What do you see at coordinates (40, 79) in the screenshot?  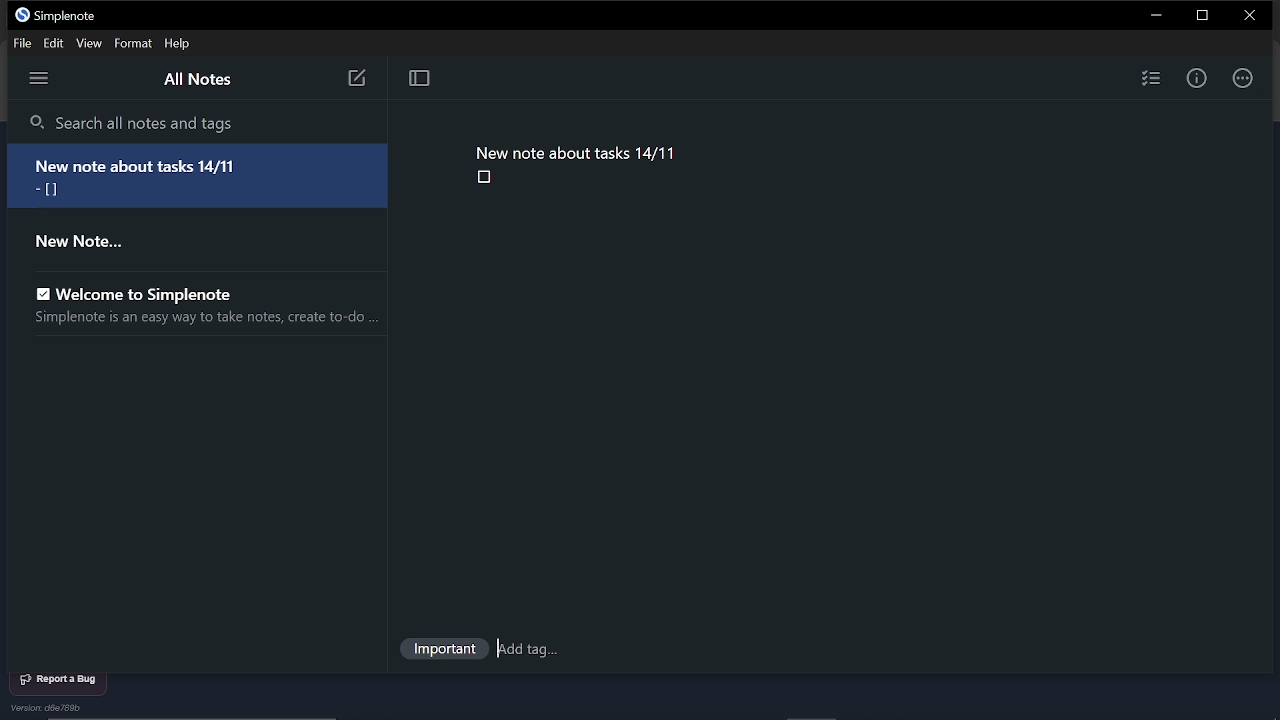 I see `Menu` at bounding box center [40, 79].